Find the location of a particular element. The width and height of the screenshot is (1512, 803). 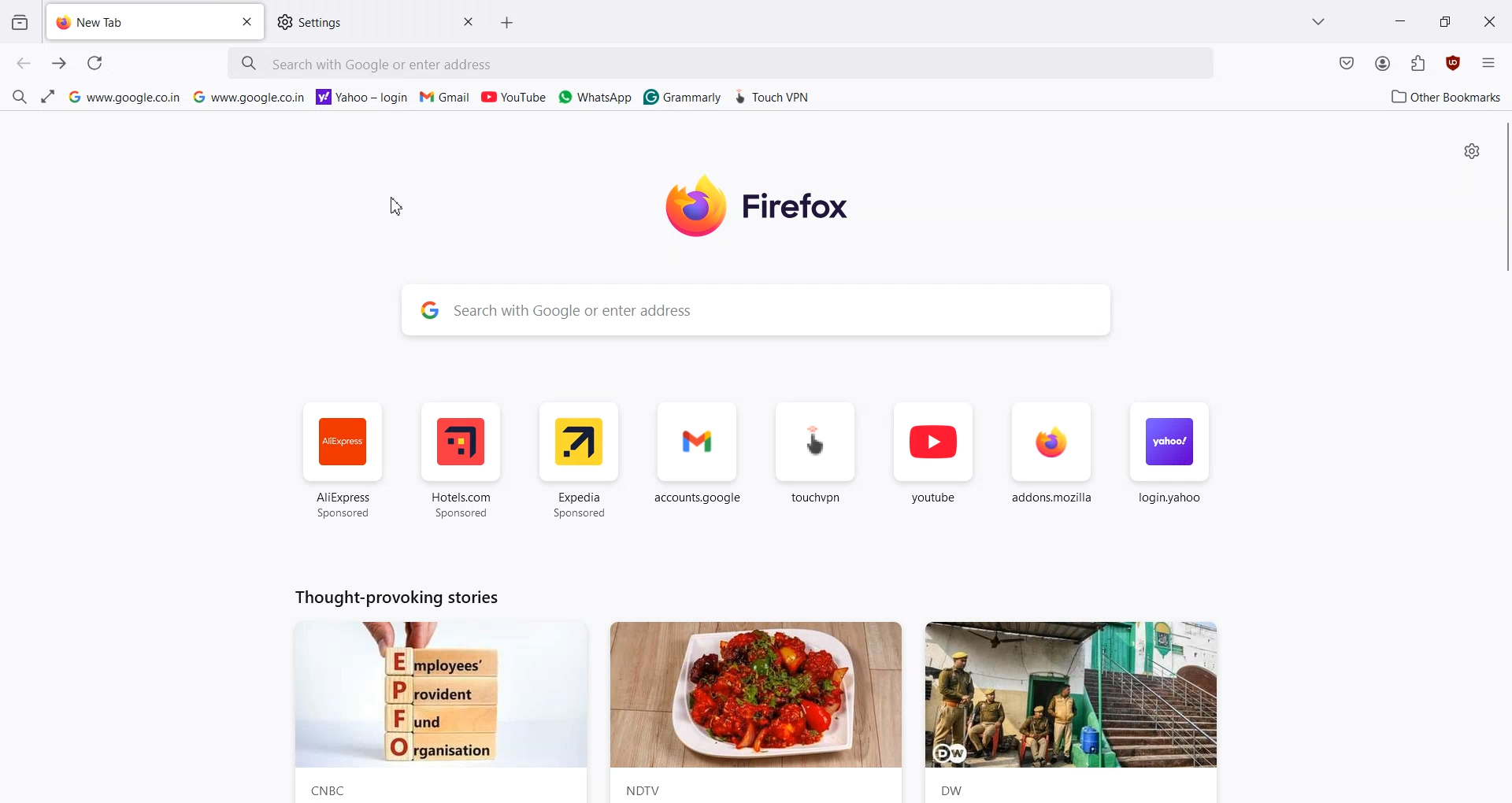

addons.mozilla is located at coordinates (1052, 463).